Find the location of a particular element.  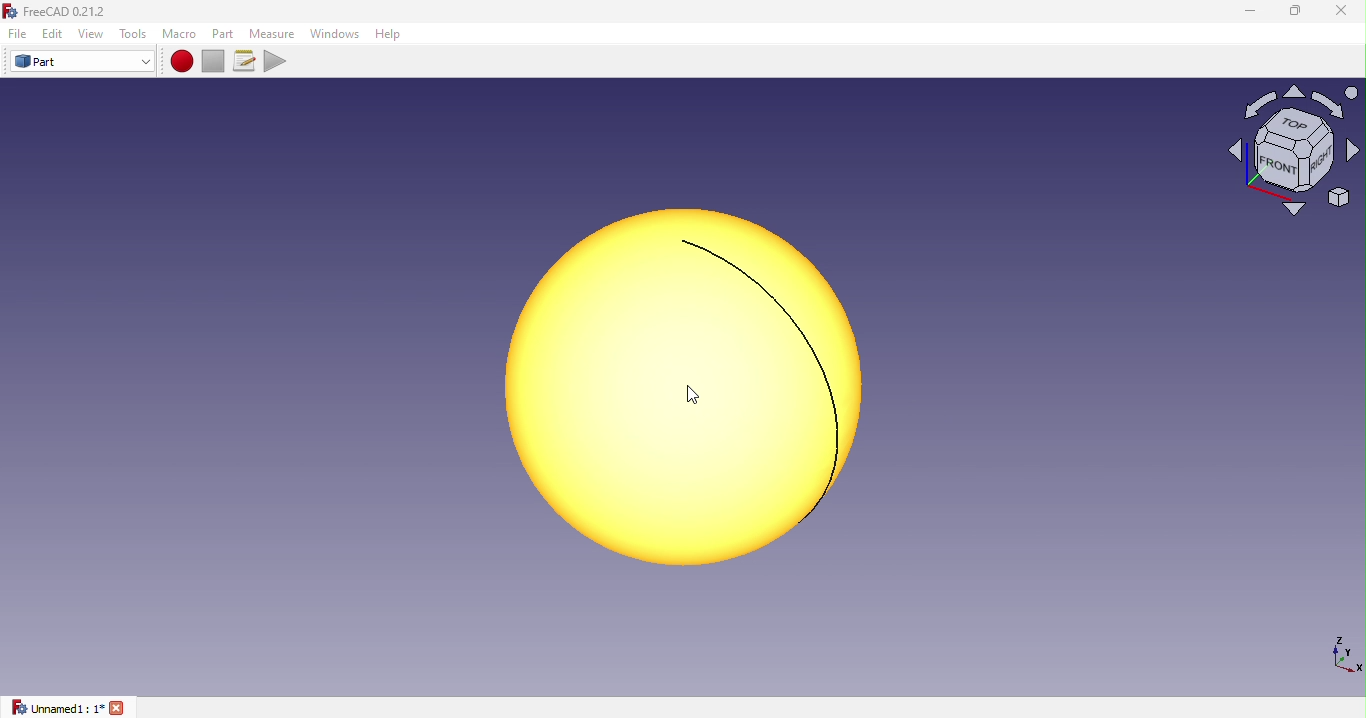

Execute Macros is located at coordinates (278, 60).